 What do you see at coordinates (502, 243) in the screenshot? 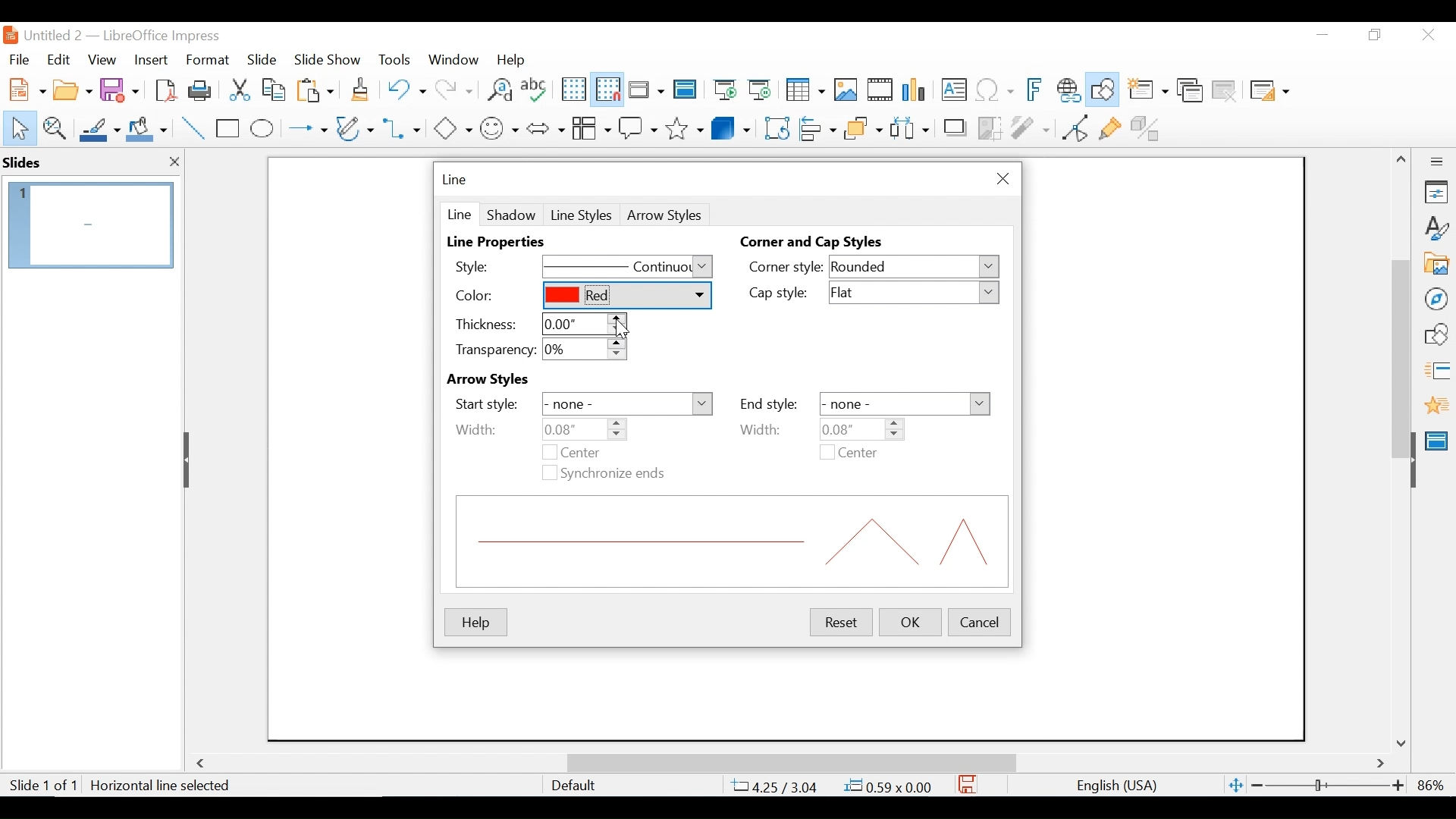
I see `Line Properties` at bounding box center [502, 243].